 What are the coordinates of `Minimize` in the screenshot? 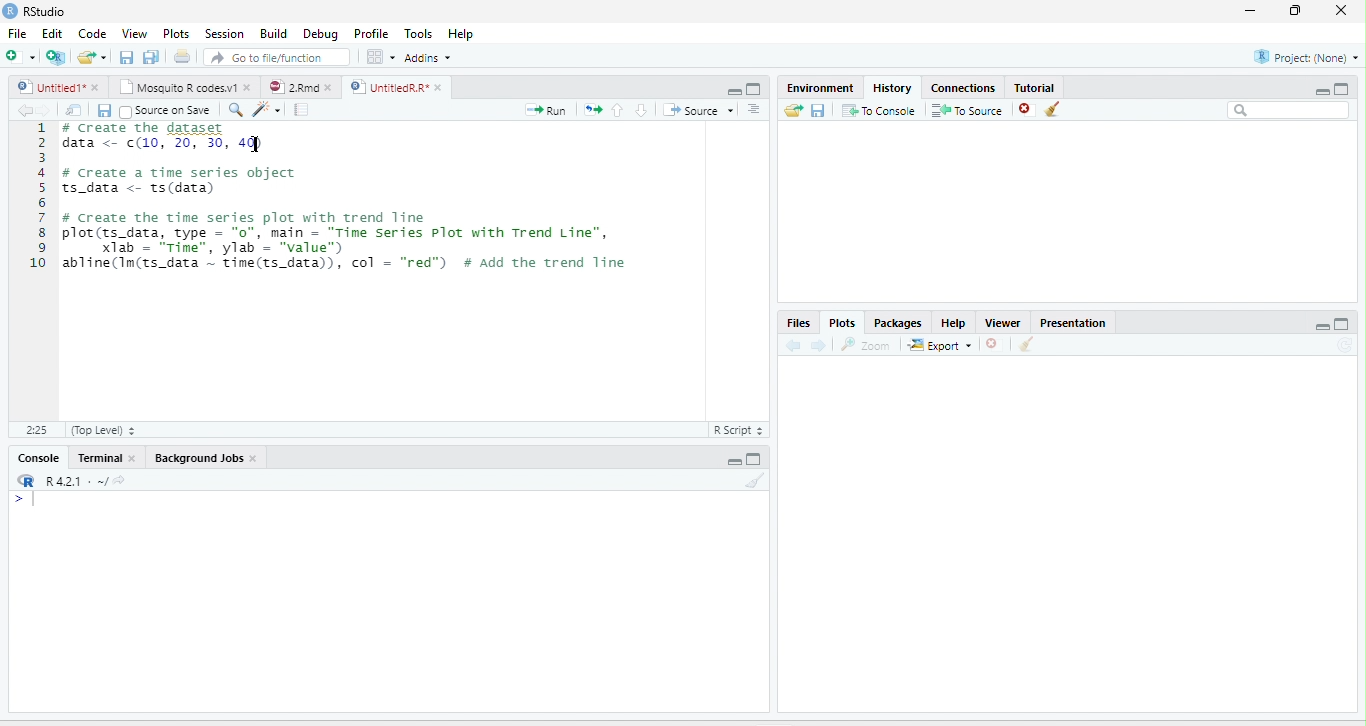 It's located at (733, 92).